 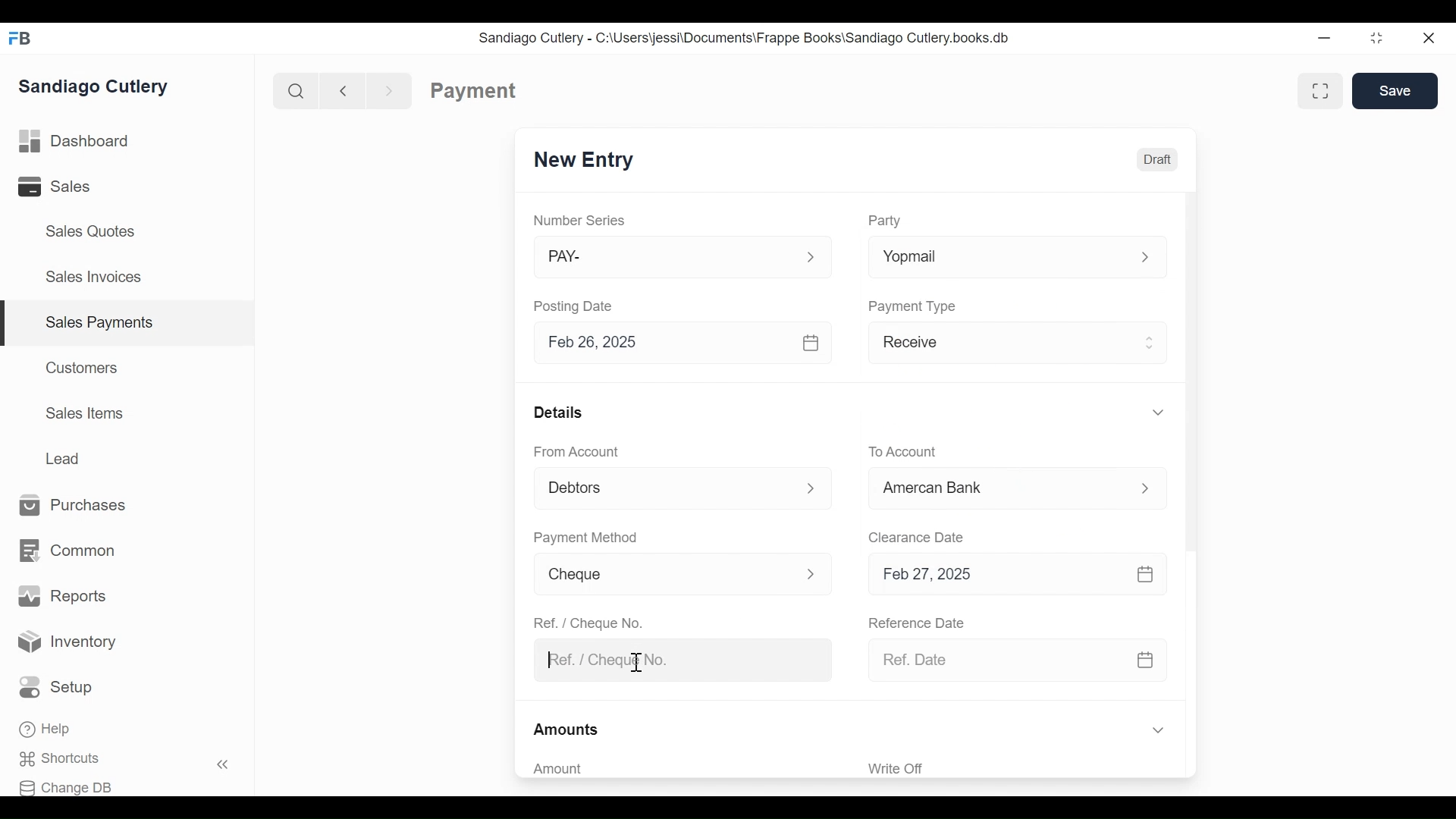 What do you see at coordinates (293, 90) in the screenshot?
I see `Search` at bounding box center [293, 90].